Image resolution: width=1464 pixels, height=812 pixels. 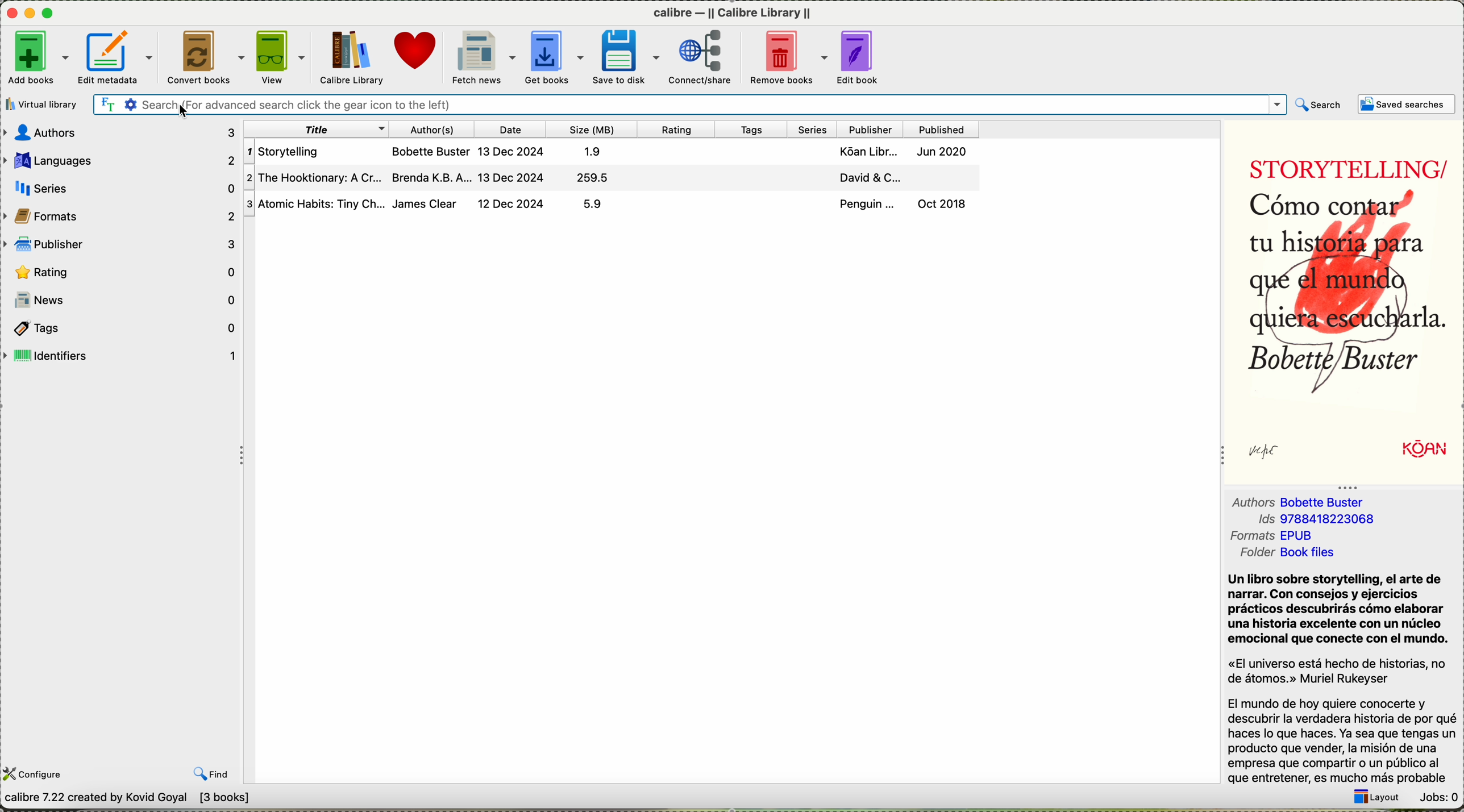 I want to click on remove books, so click(x=786, y=56).